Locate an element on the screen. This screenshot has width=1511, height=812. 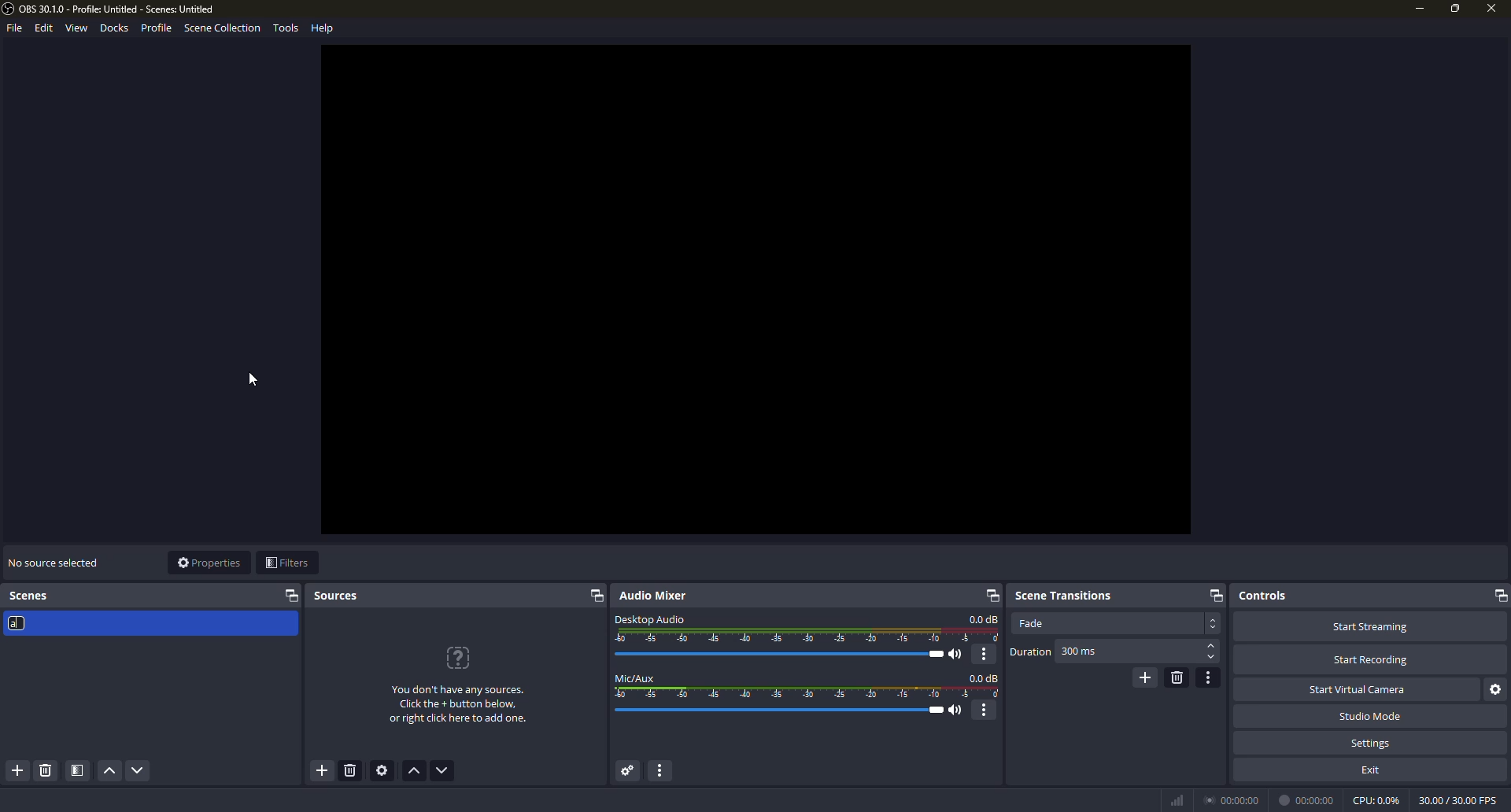
cursor is located at coordinates (251, 379).